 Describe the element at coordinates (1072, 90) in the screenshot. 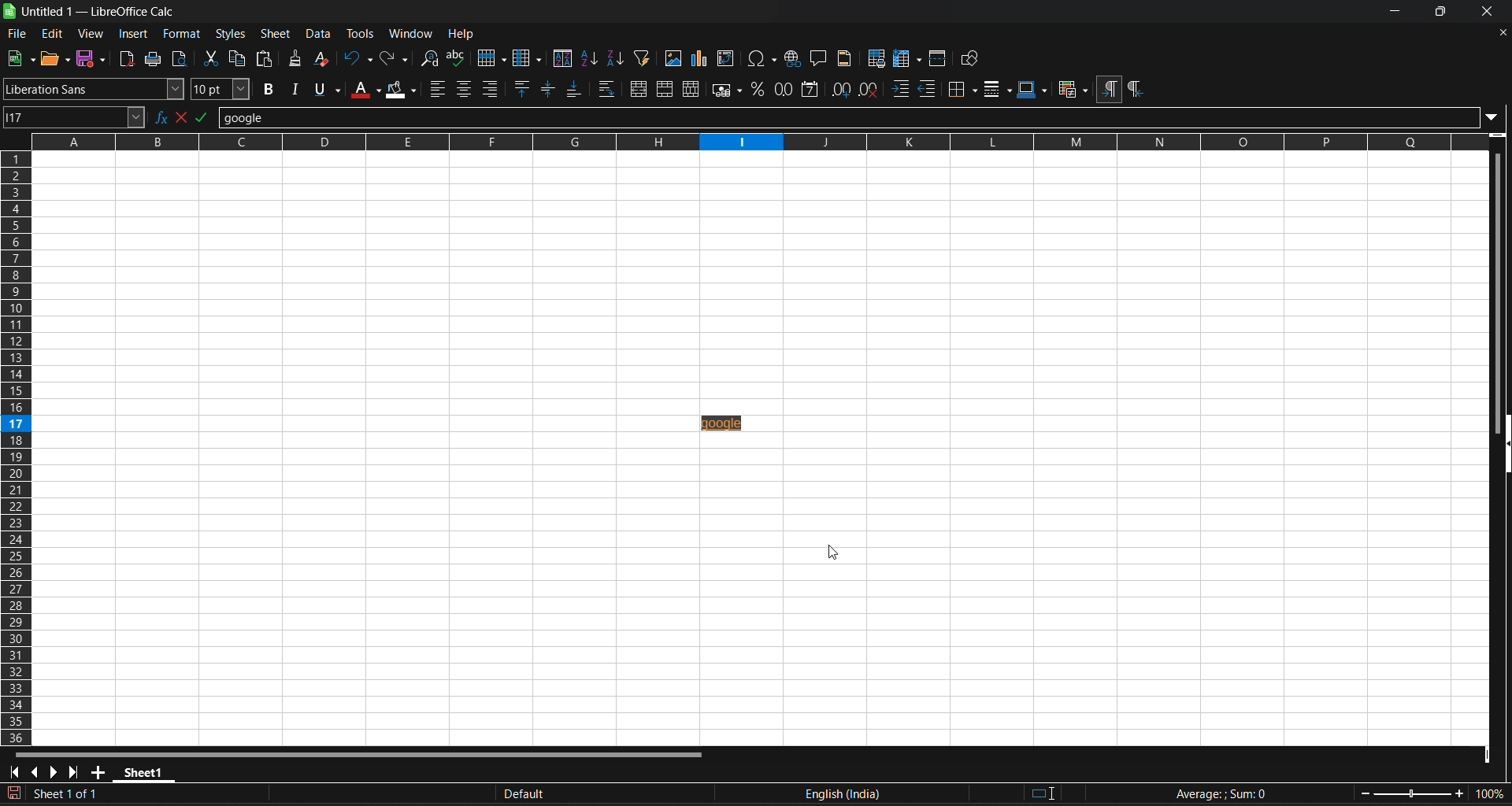

I see `conditional` at that location.